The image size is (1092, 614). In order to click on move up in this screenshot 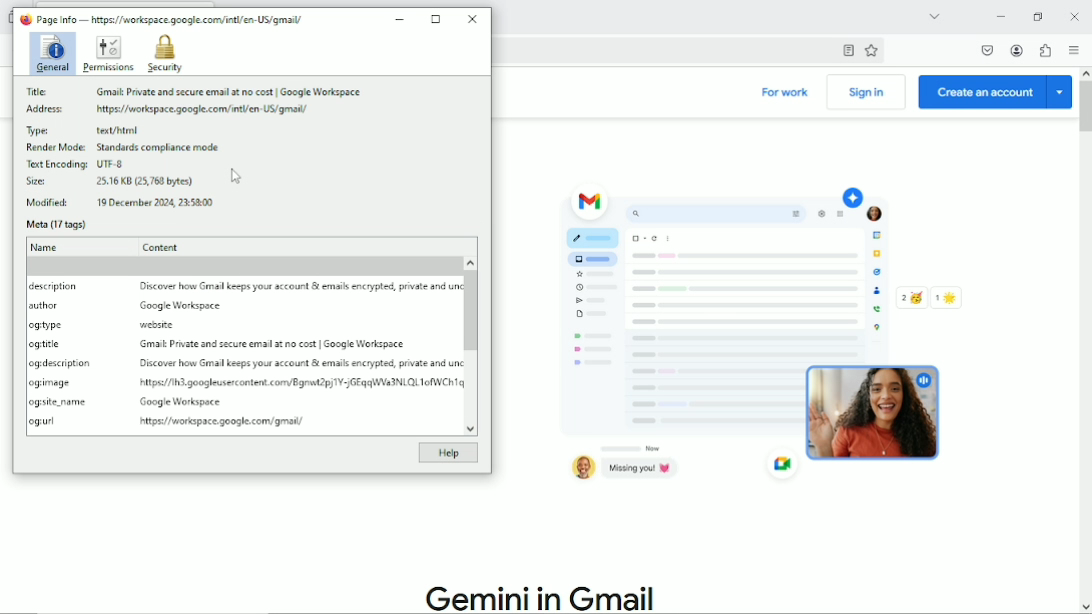, I will do `click(470, 261)`.